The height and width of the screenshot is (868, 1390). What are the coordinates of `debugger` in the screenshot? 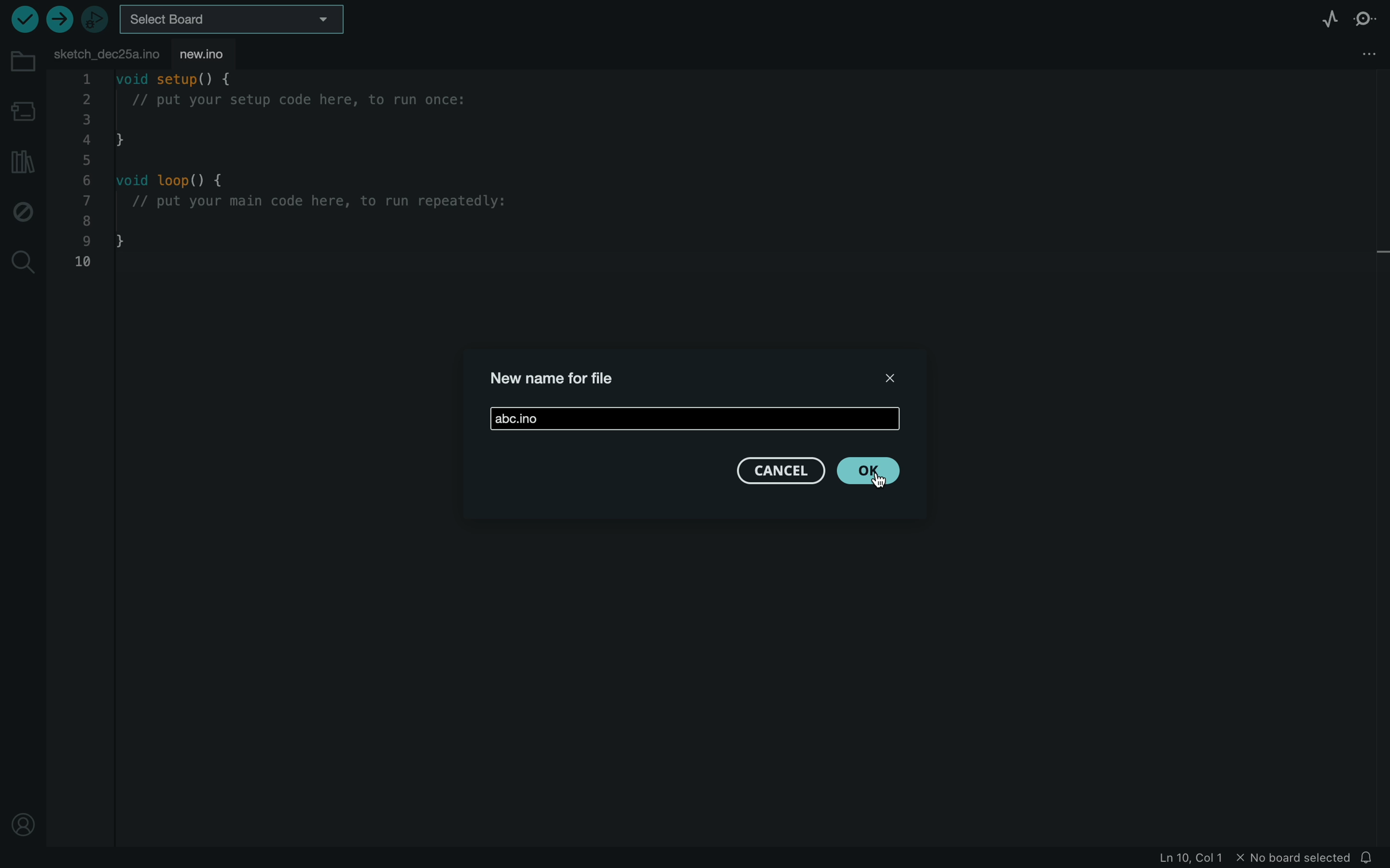 It's located at (96, 20).